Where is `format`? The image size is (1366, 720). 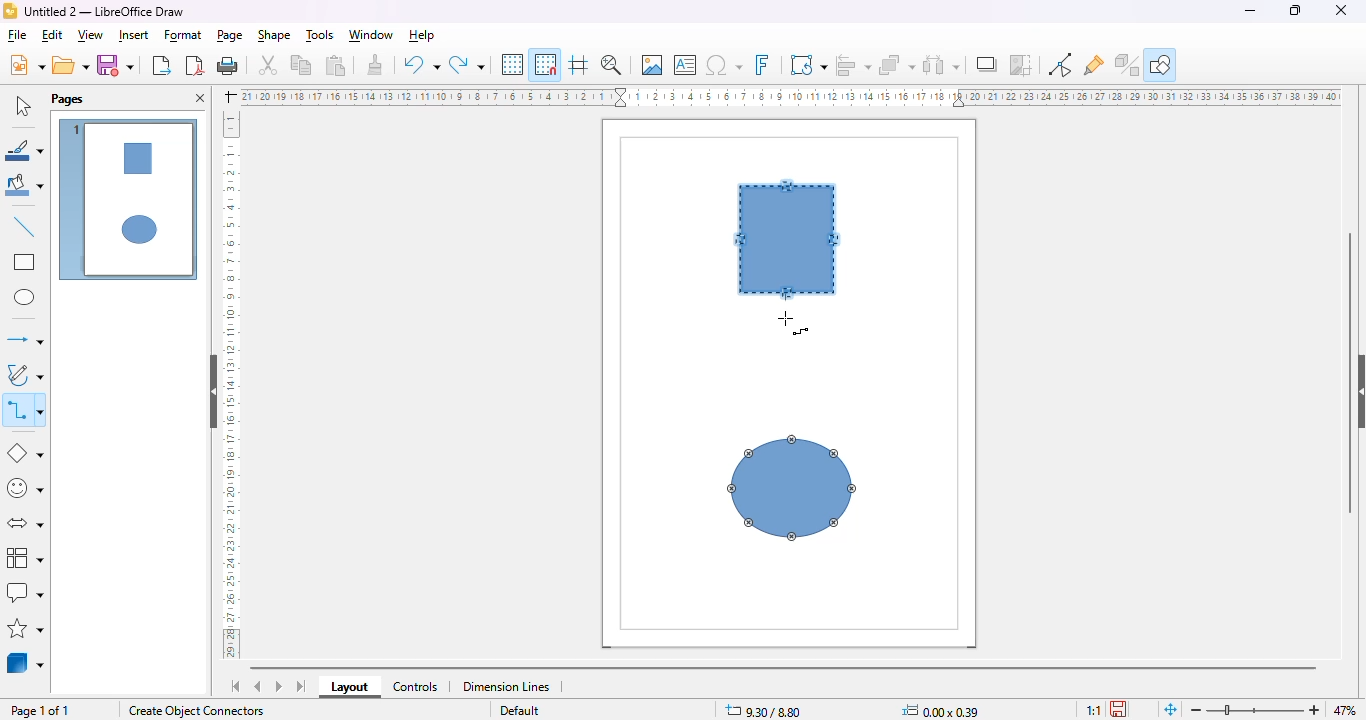 format is located at coordinates (184, 35).